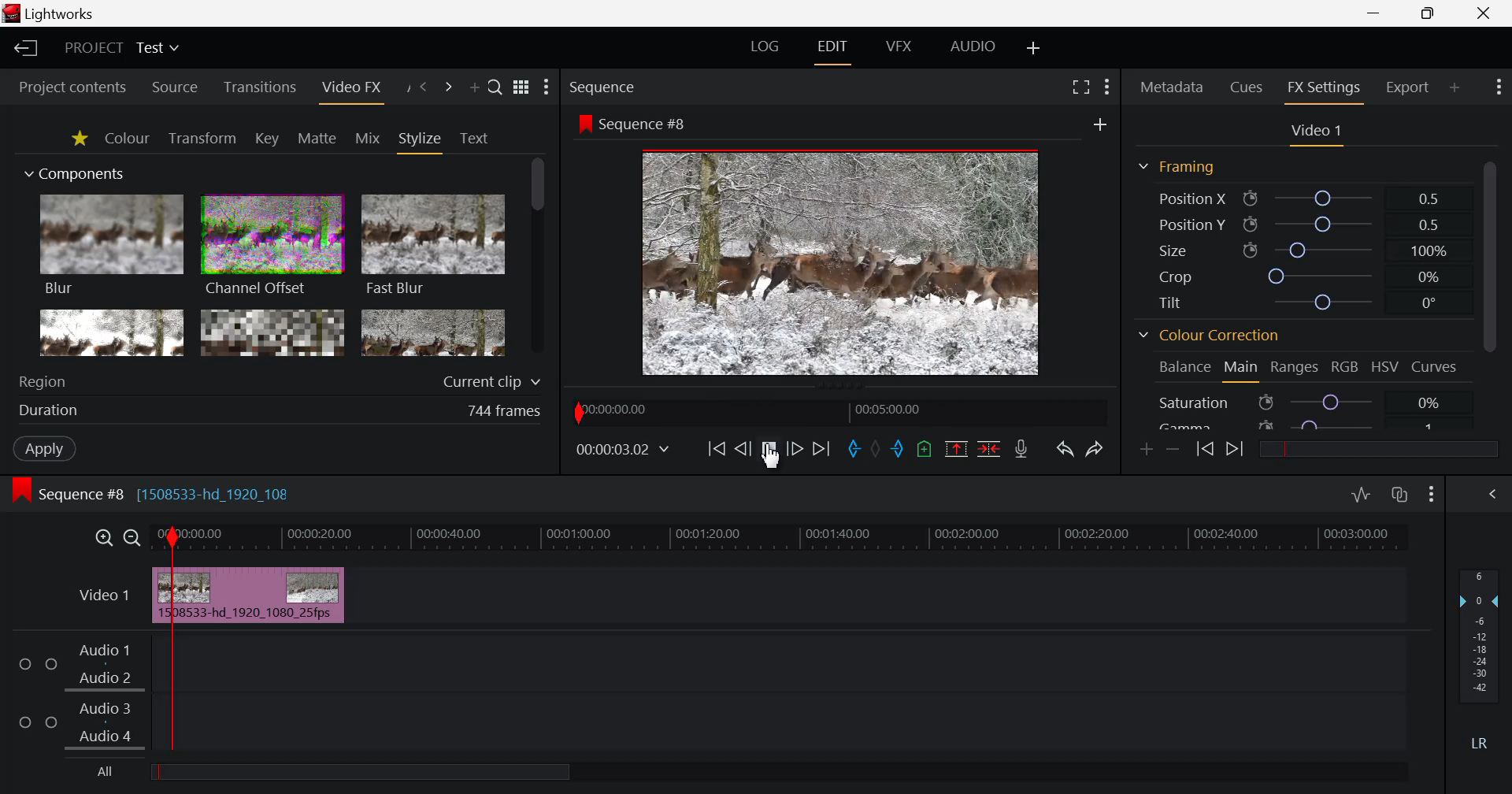 This screenshot has height=794, width=1512. I want to click on RGB, so click(1346, 366).